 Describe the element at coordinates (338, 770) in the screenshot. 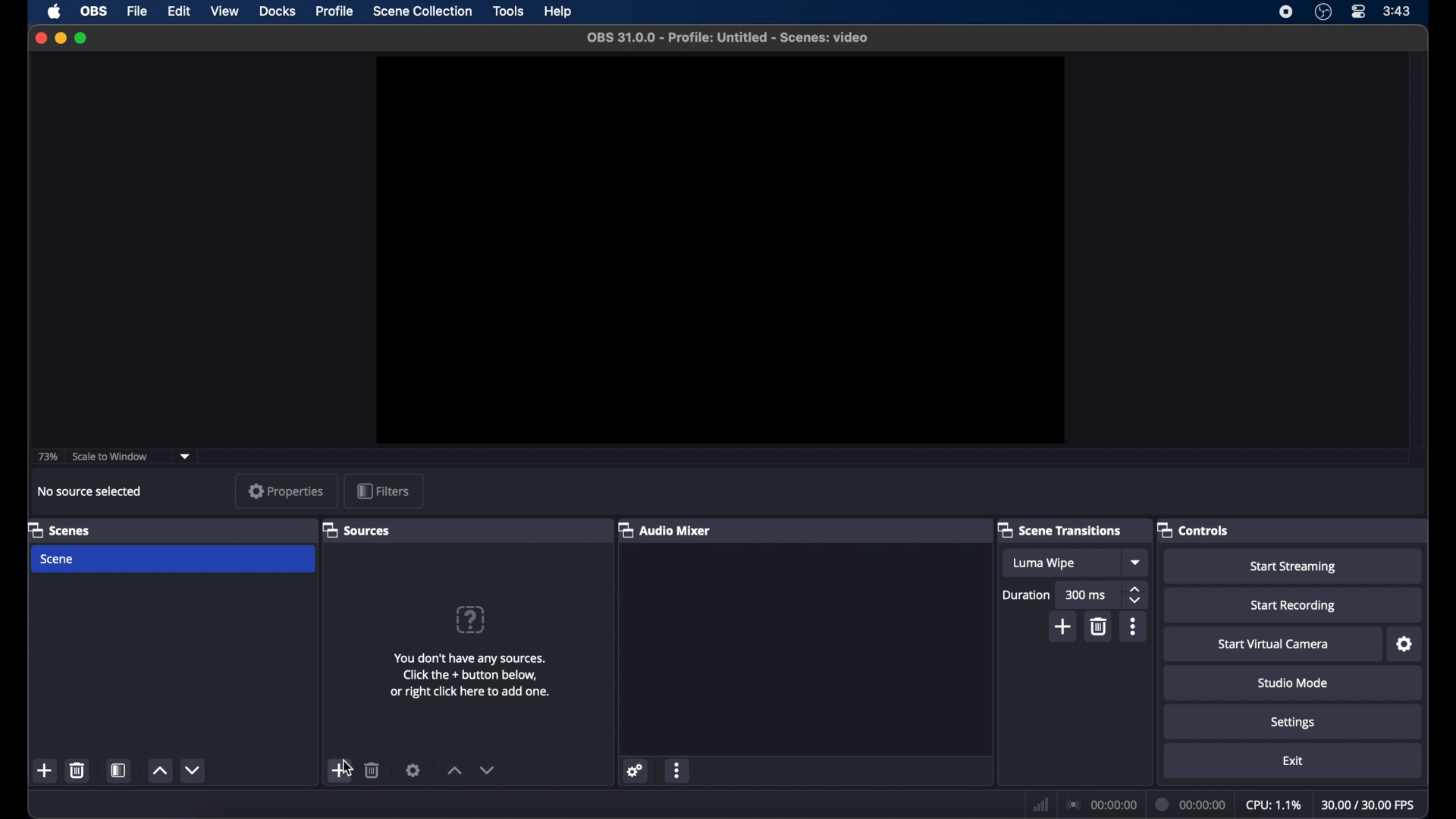

I see `add` at that location.